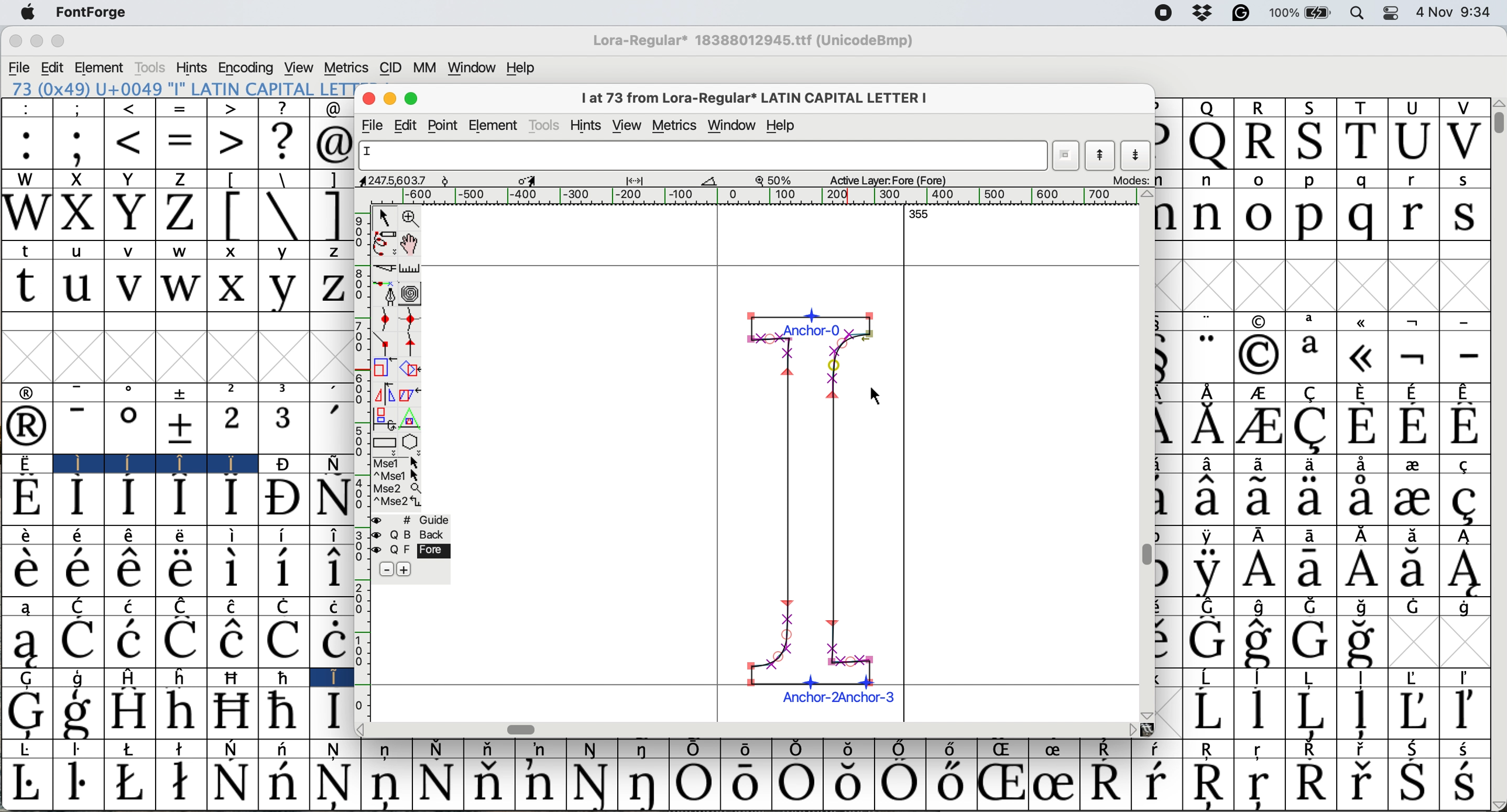 The image size is (1507, 812). What do you see at coordinates (1465, 502) in the screenshot?
I see `Symbol` at bounding box center [1465, 502].